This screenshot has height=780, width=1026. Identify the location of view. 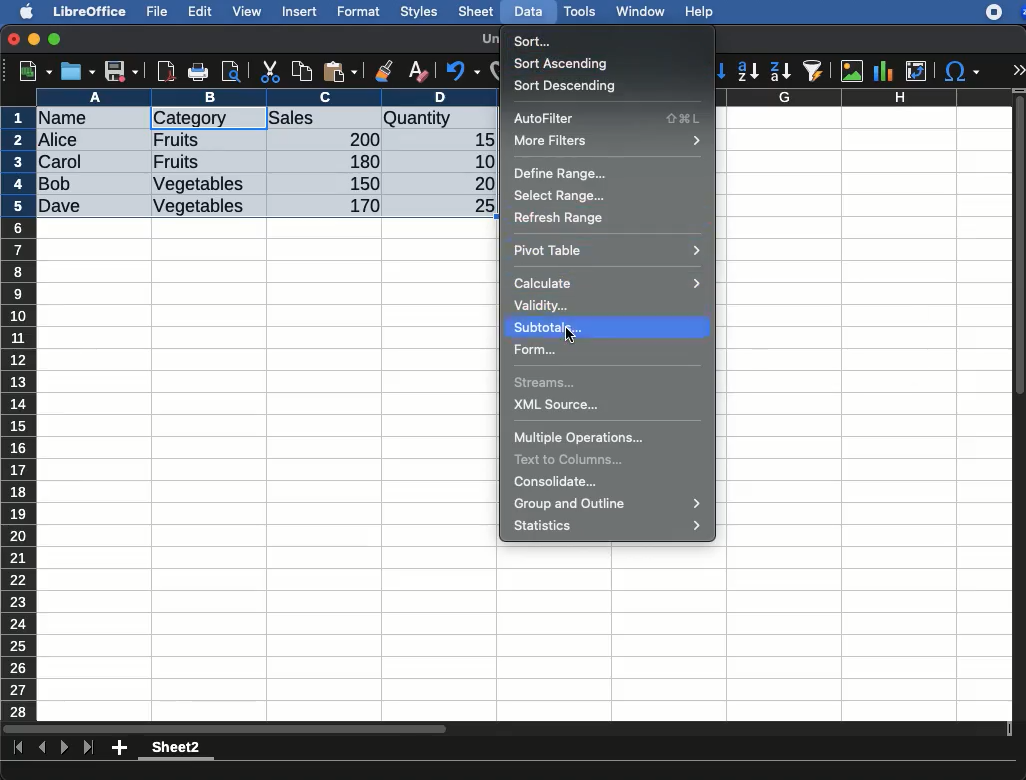
(247, 11).